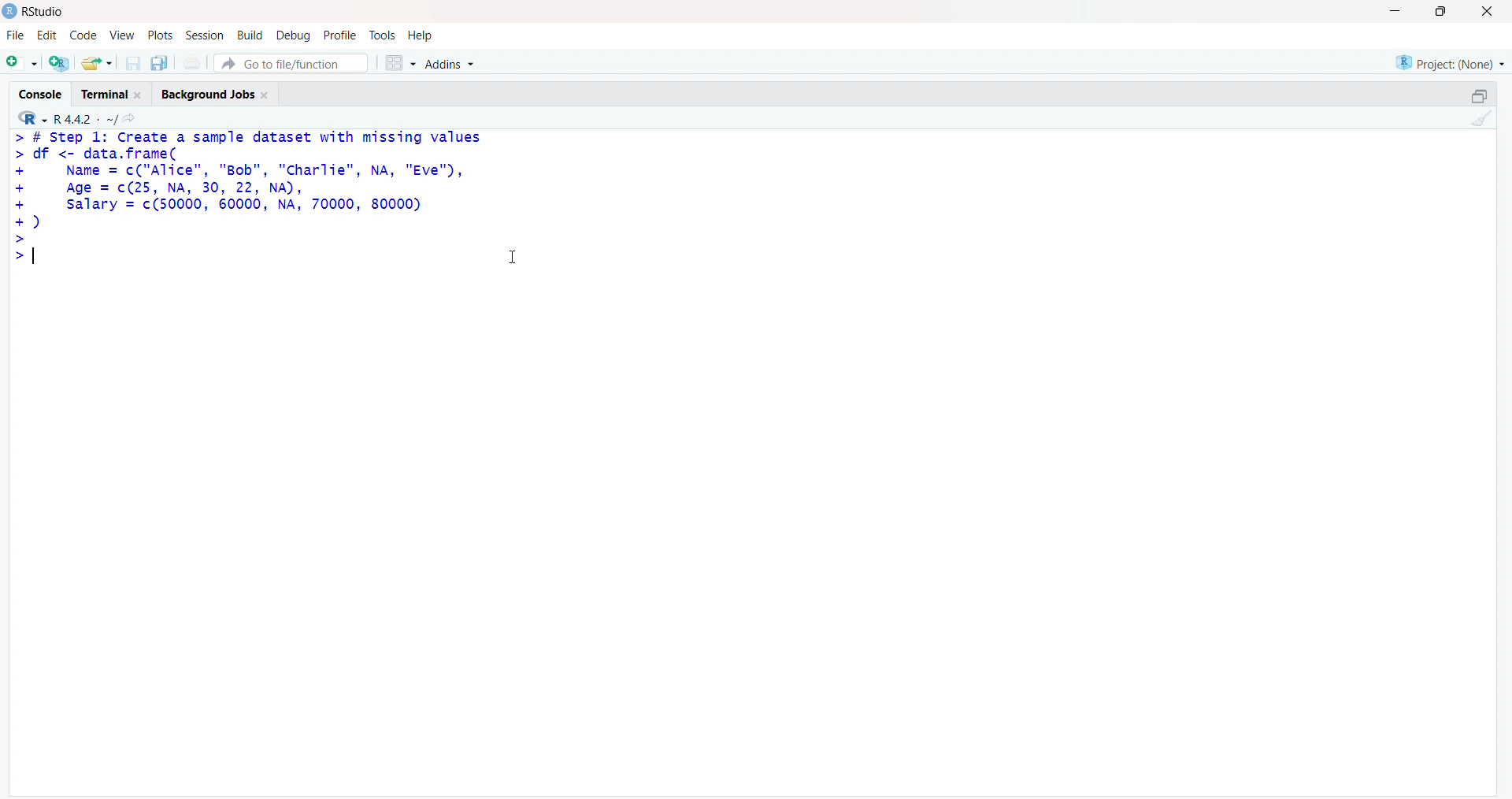  What do you see at coordinates (250, 33) in the screenshot?
I see `Build` at bounding box center [250, 33].